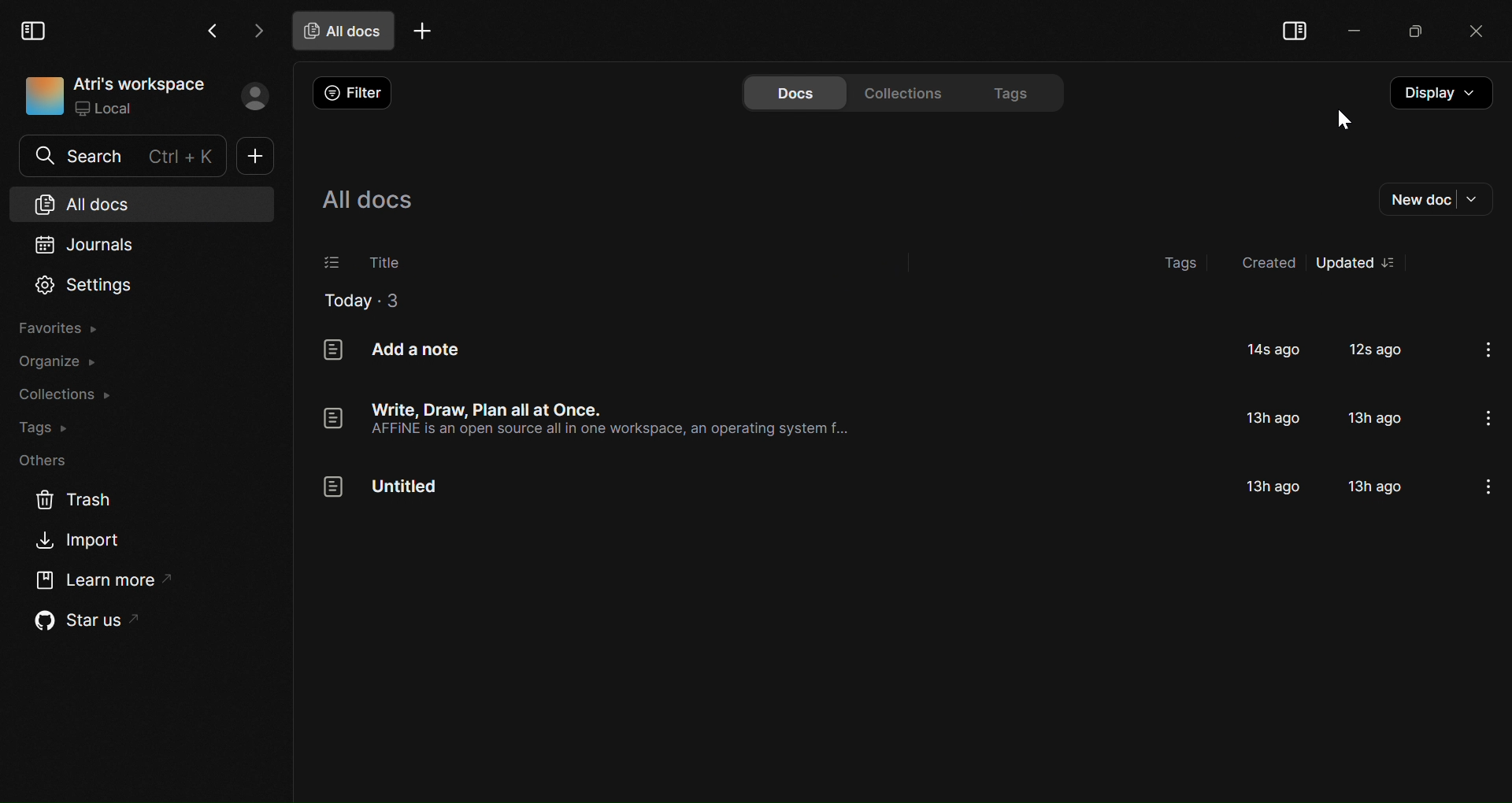 The height and width of the screenshot is (803, 1512). I want to click on Collapse Sidebar, so click(35, 28).